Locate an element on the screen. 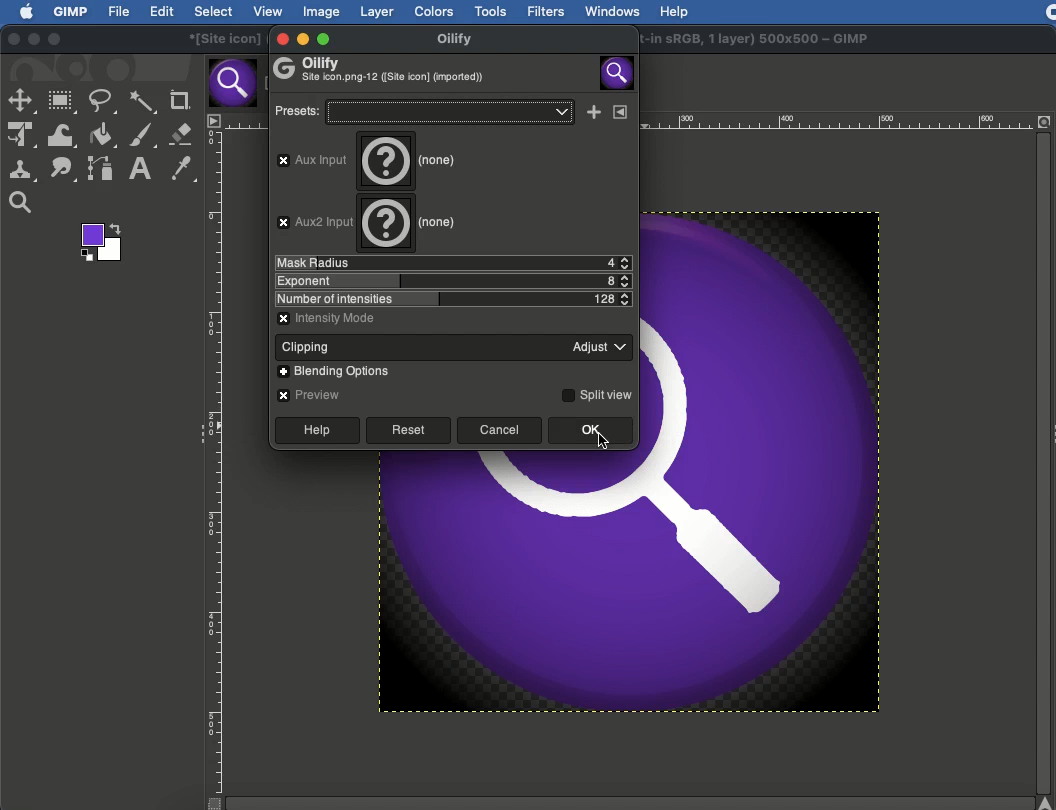 This screenshot has width=1056, height=810. Tools is located at coordinates (491, 12).